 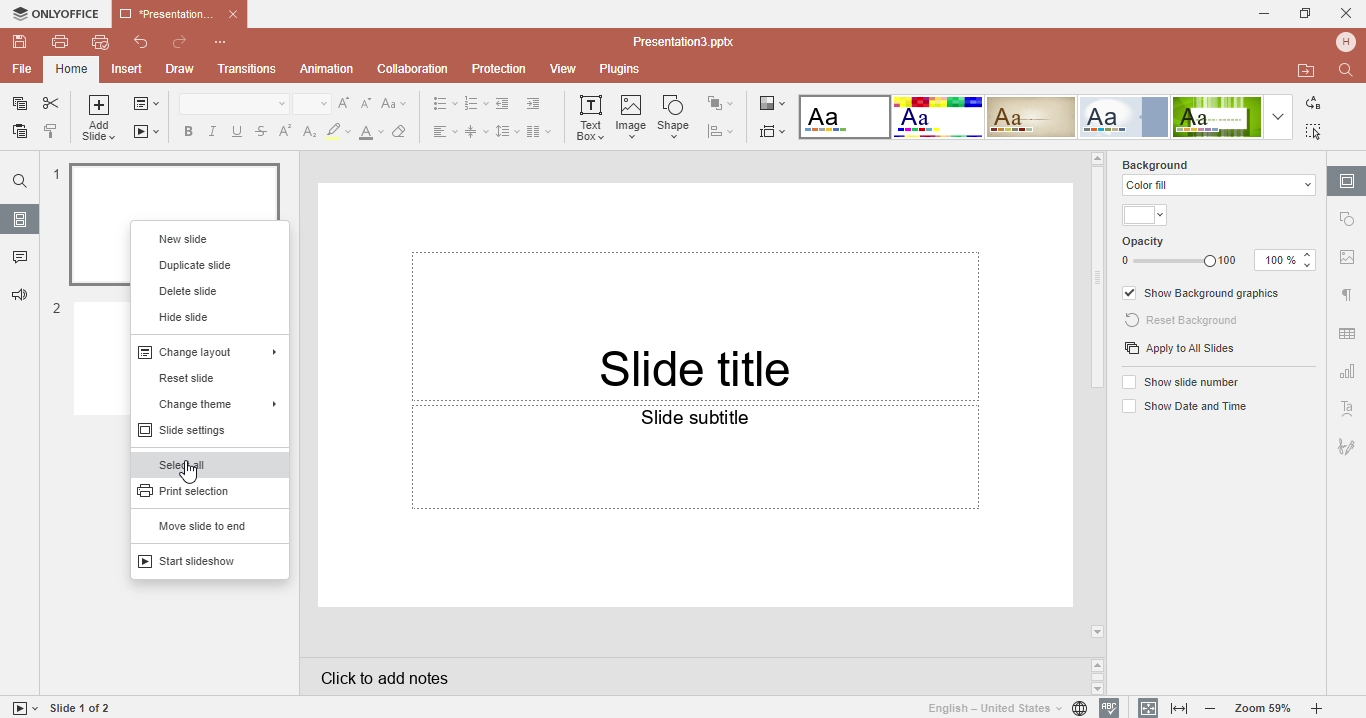 What do you see at coordinates (60, 41) in the screenshot?
I see `Print file` at bounding box center [60, 41].